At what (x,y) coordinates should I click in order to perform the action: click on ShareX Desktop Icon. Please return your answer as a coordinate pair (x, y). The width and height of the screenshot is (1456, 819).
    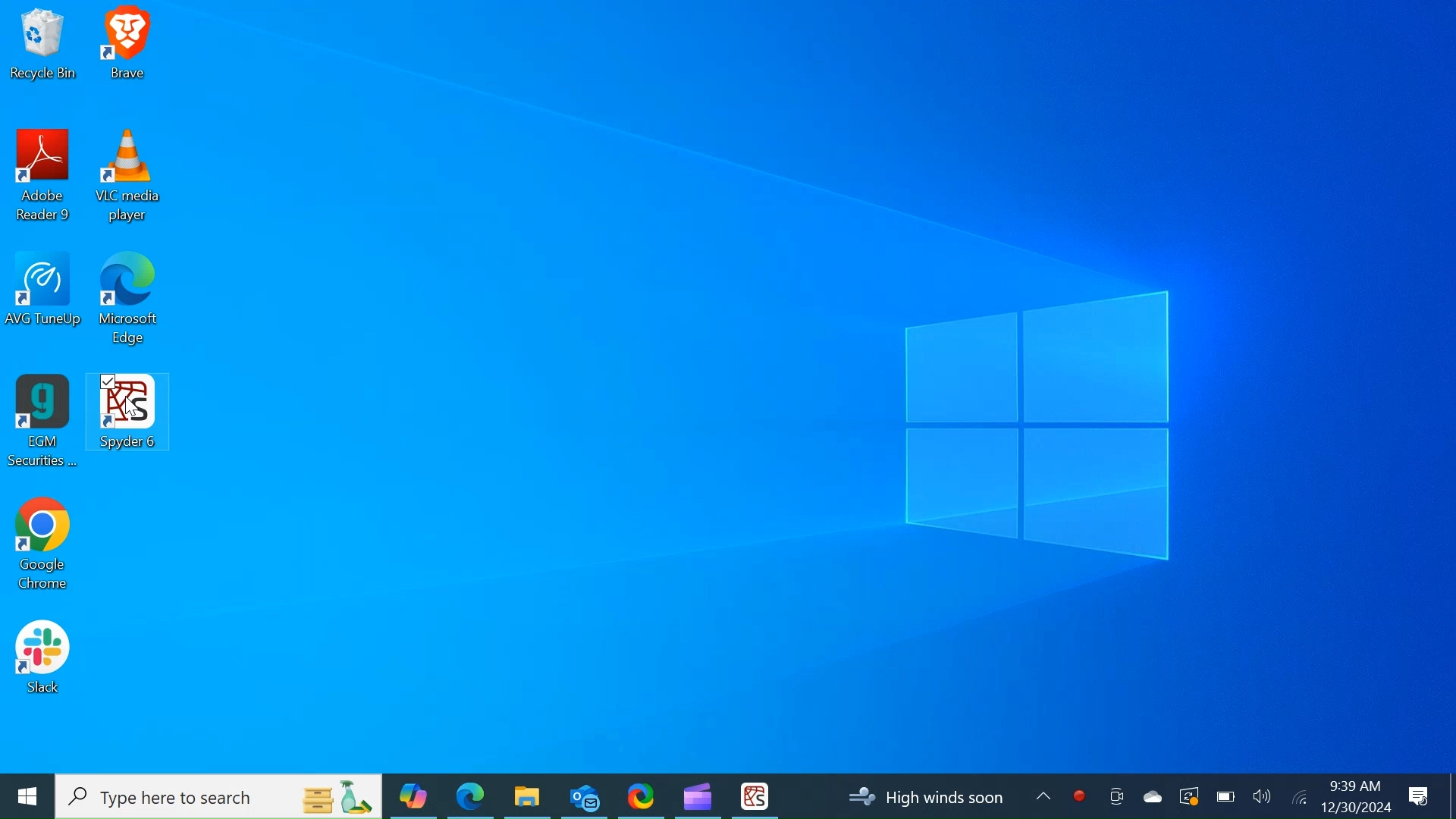
    Looking at the image, I should click on (640, 795).